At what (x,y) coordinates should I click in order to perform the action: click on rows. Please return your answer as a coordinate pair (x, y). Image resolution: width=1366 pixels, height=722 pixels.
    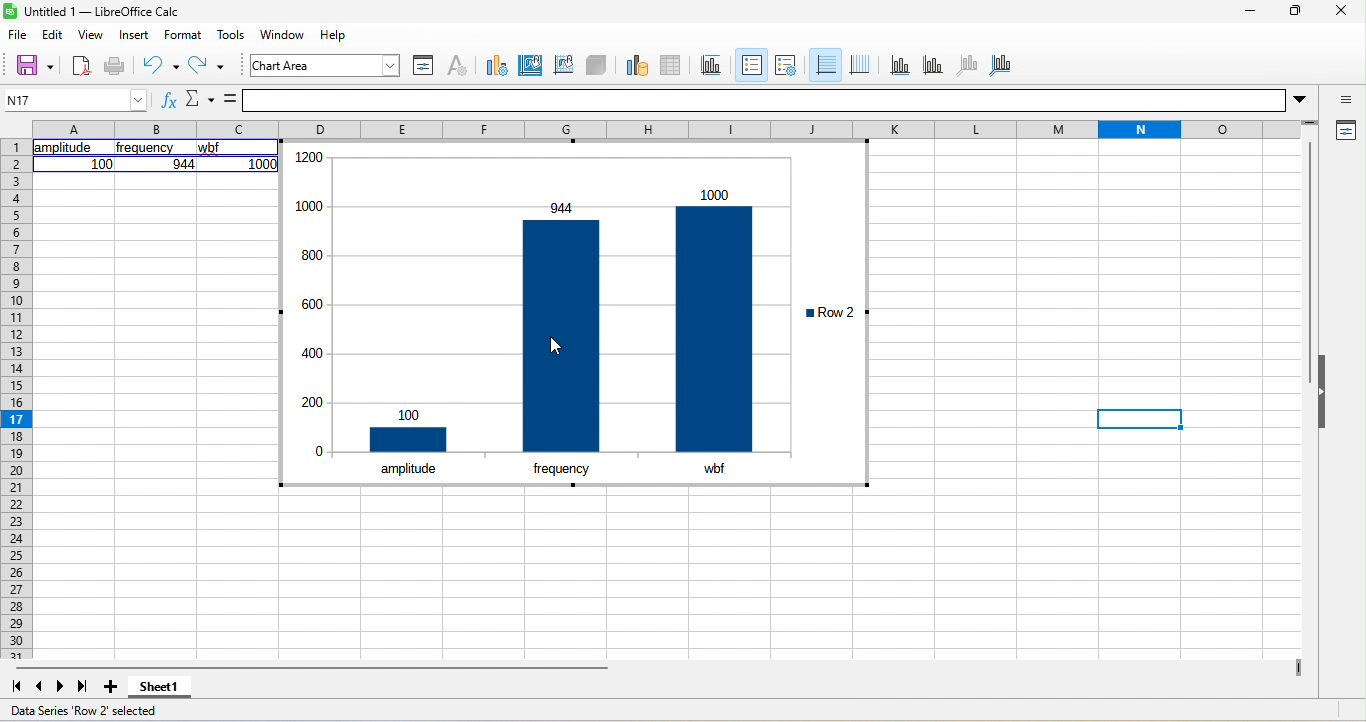
    Looking at the image, I should click on (15, 399).